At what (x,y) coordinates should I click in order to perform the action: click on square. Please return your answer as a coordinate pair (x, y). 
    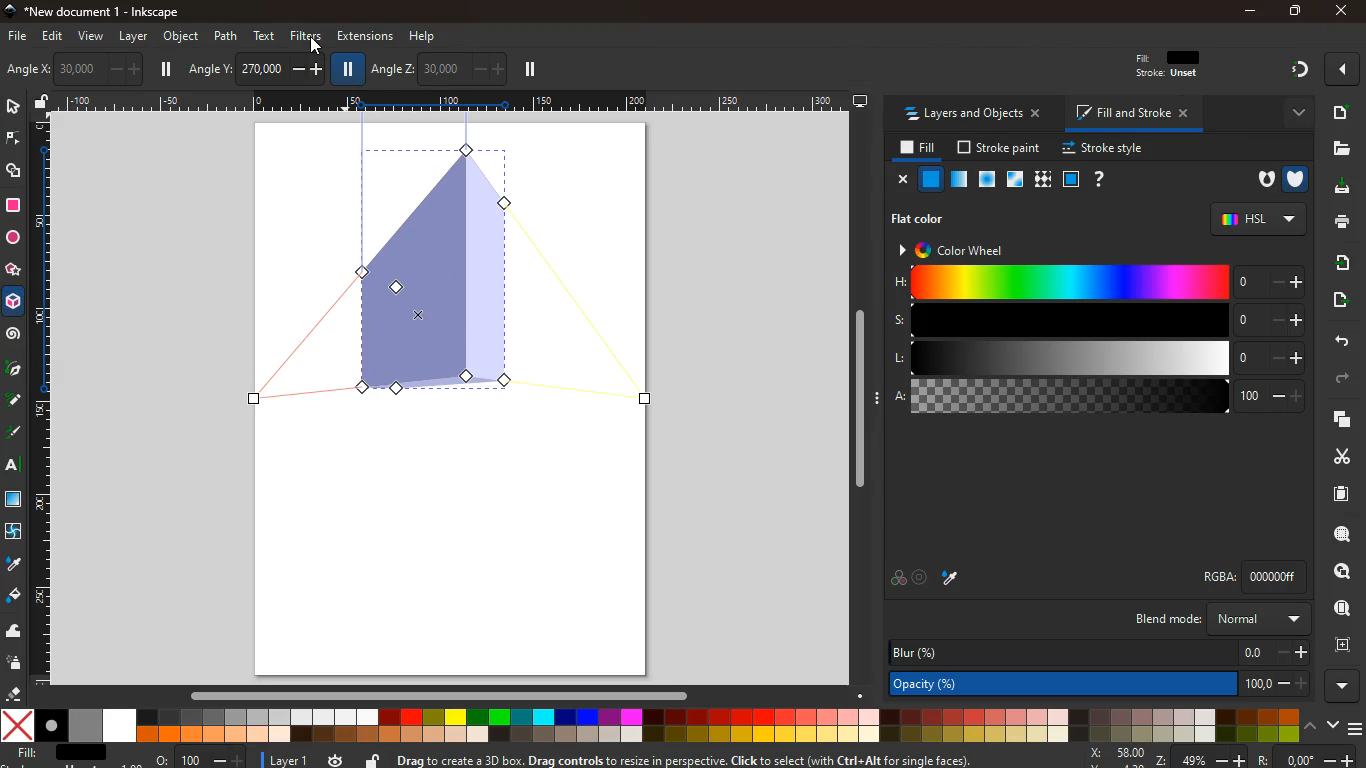
    Looking at the image, I should click on (13, 205).